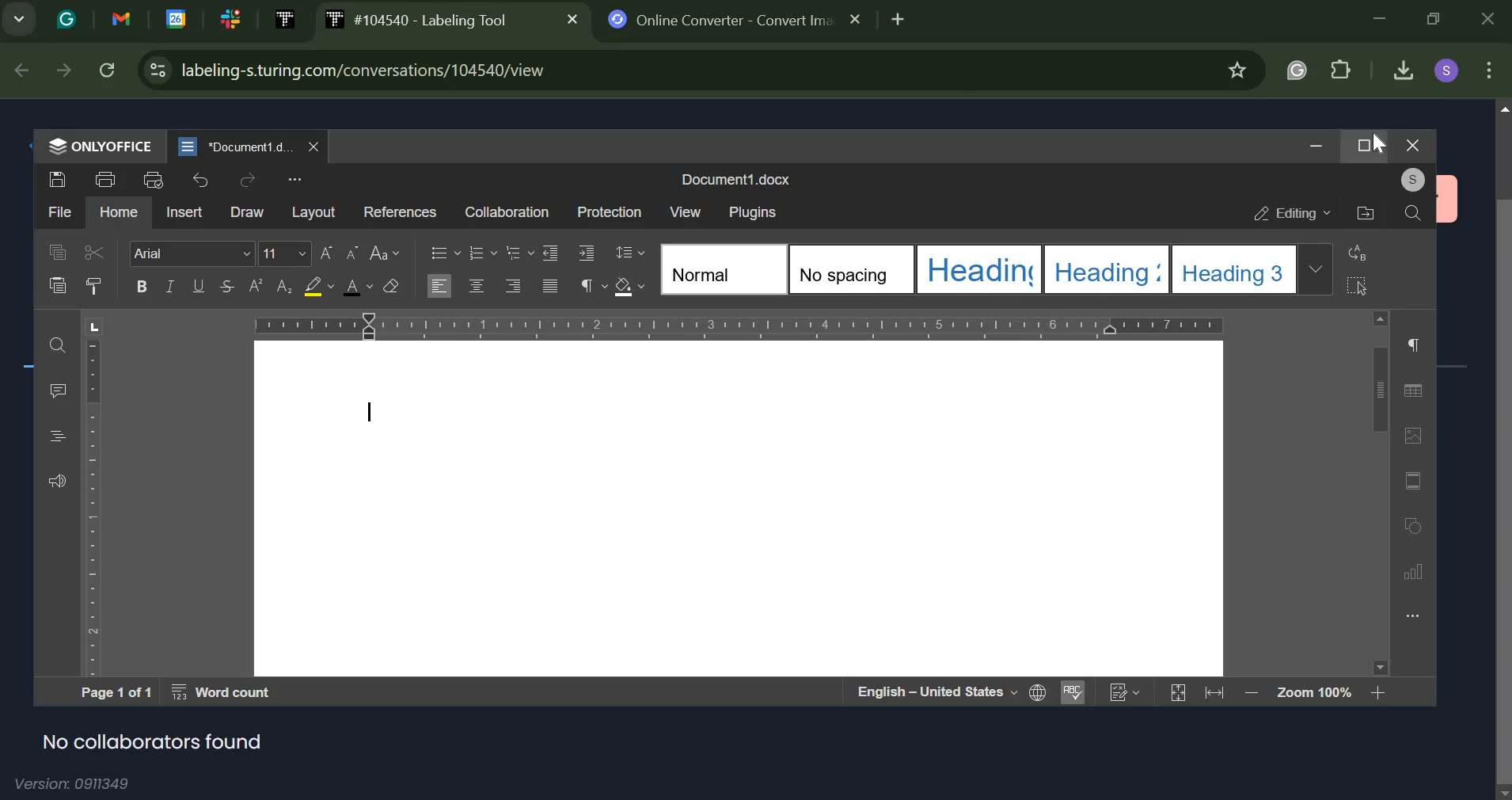  I want to click on 11, so click(283, 253).